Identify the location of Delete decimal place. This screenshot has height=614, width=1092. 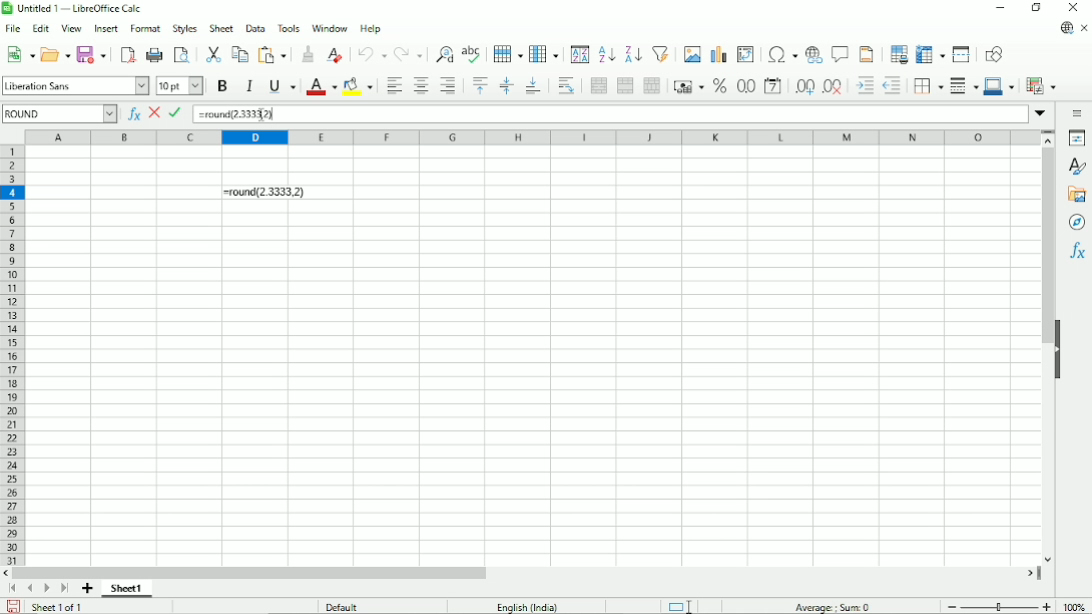
(833, 86).